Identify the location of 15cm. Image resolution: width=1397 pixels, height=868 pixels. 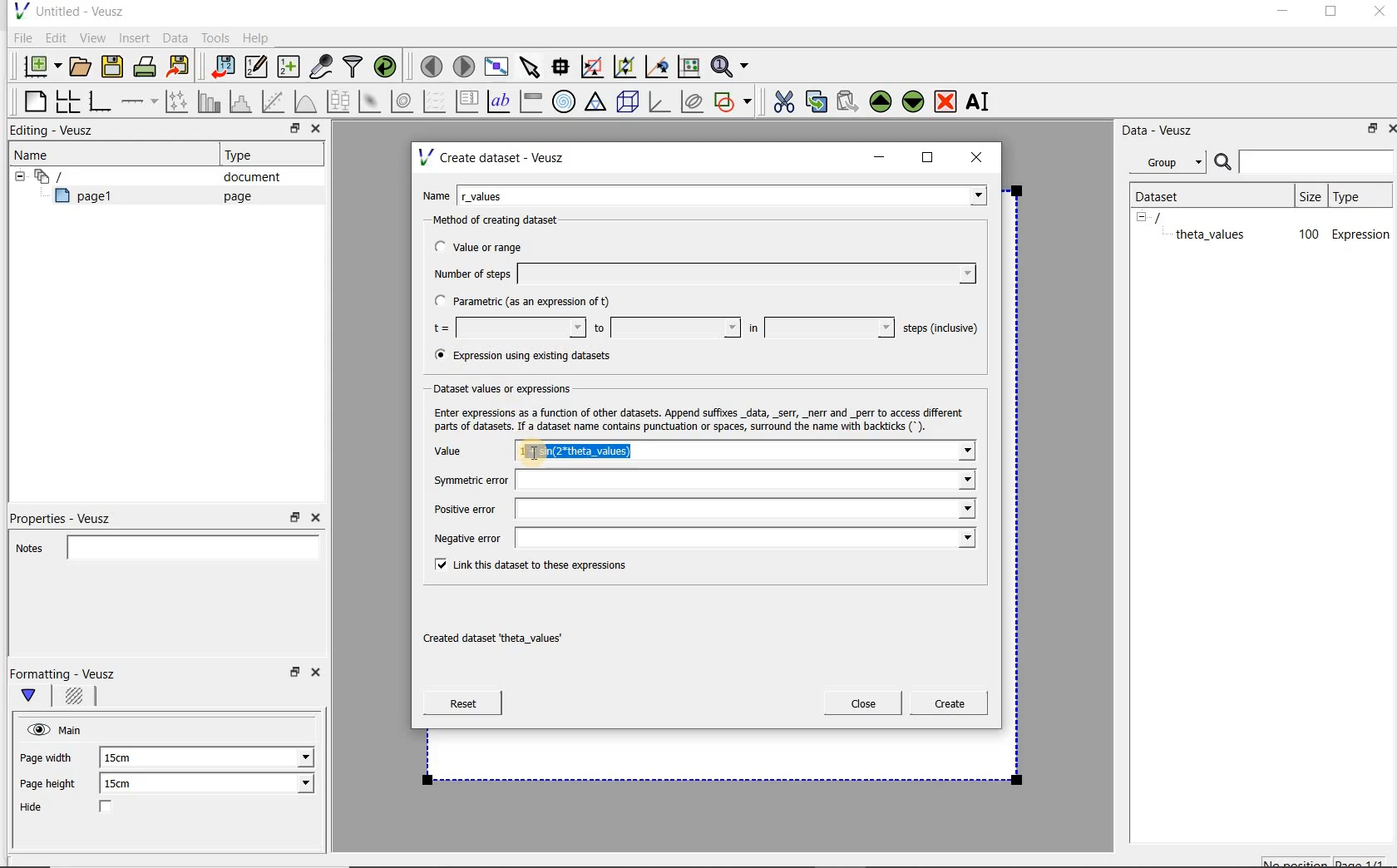
(126, 758).